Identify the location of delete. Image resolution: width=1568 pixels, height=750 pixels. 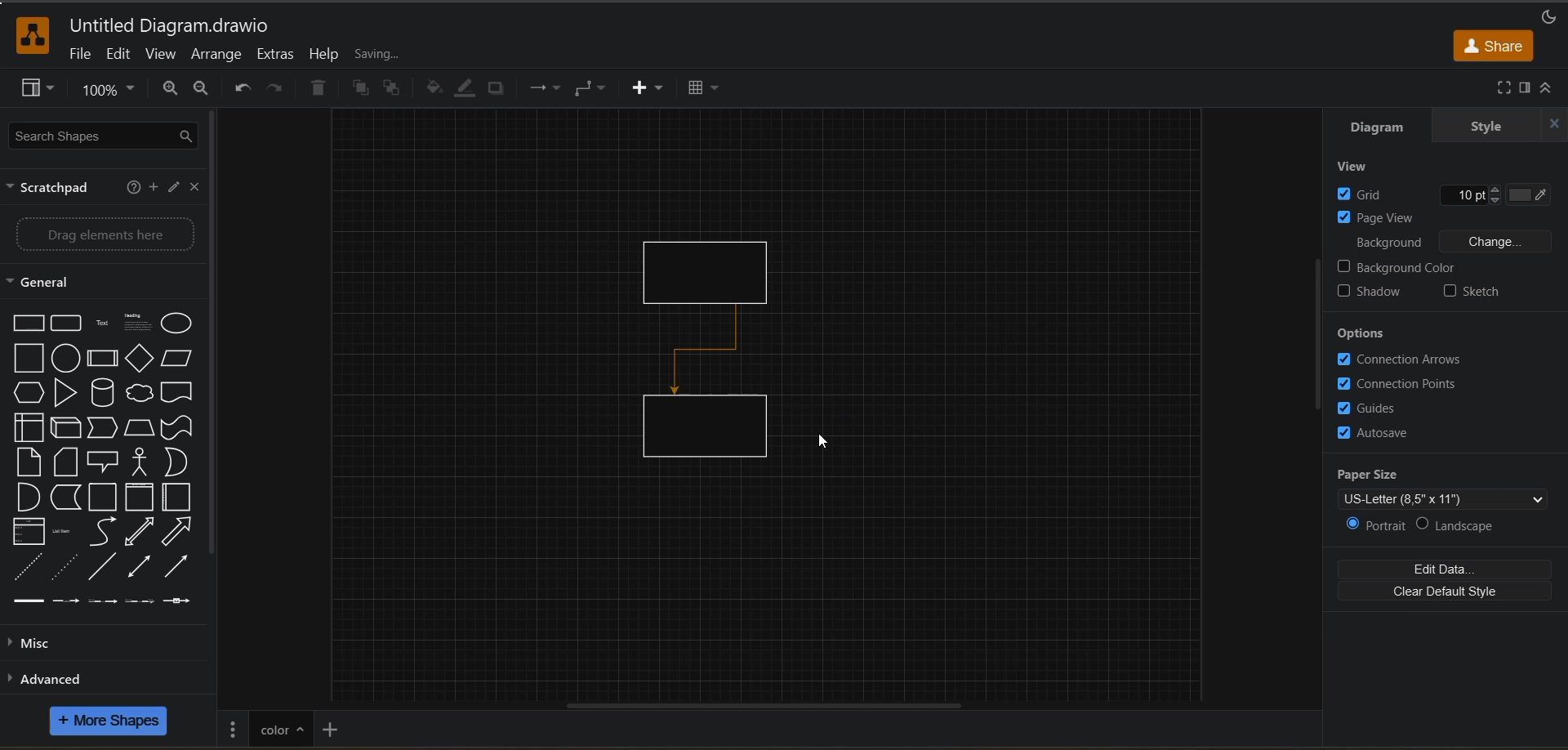
(322, 90).